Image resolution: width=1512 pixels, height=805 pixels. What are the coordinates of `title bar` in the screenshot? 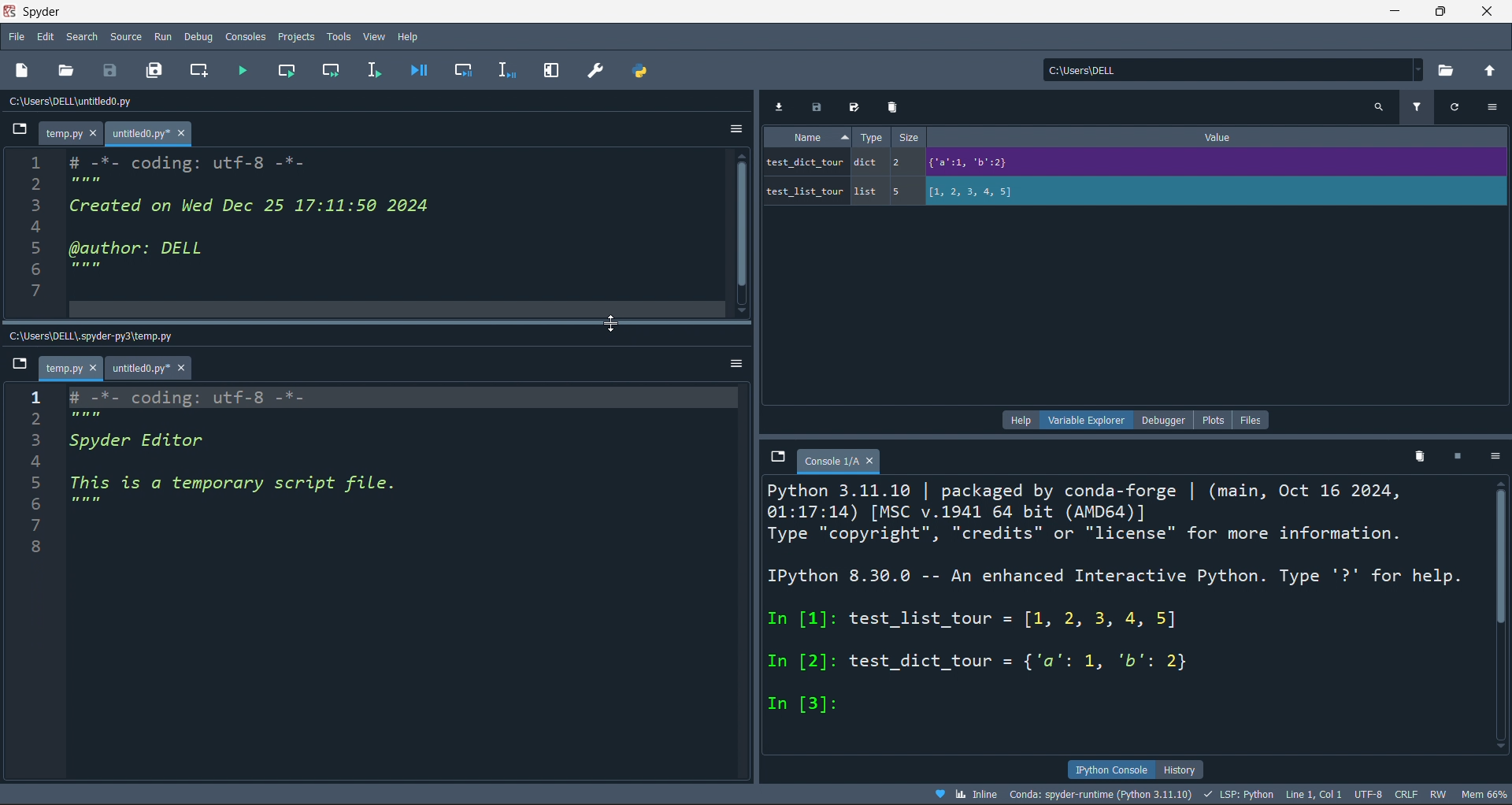 It's located at (689, 12).